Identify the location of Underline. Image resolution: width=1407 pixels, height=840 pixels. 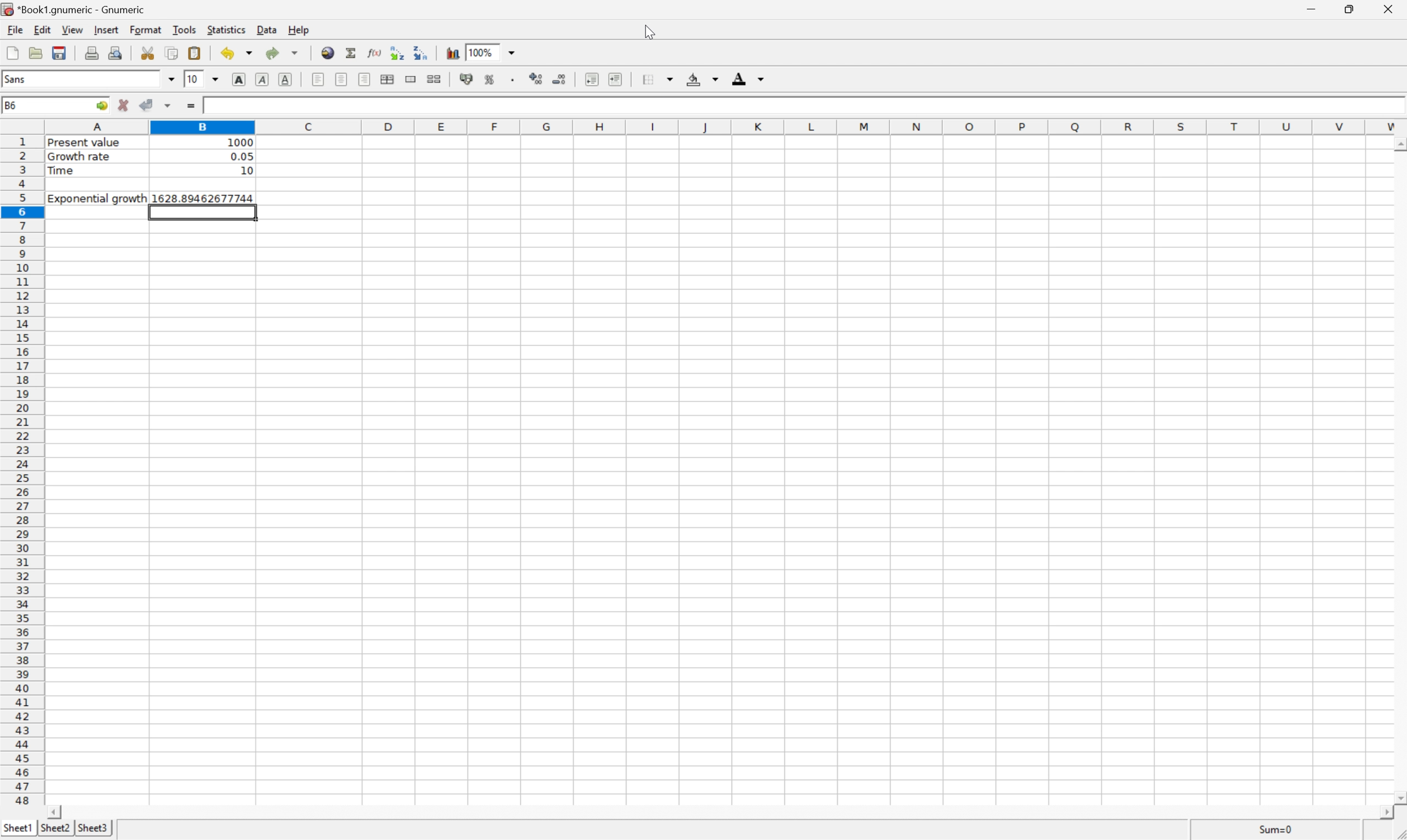
(285, 80).